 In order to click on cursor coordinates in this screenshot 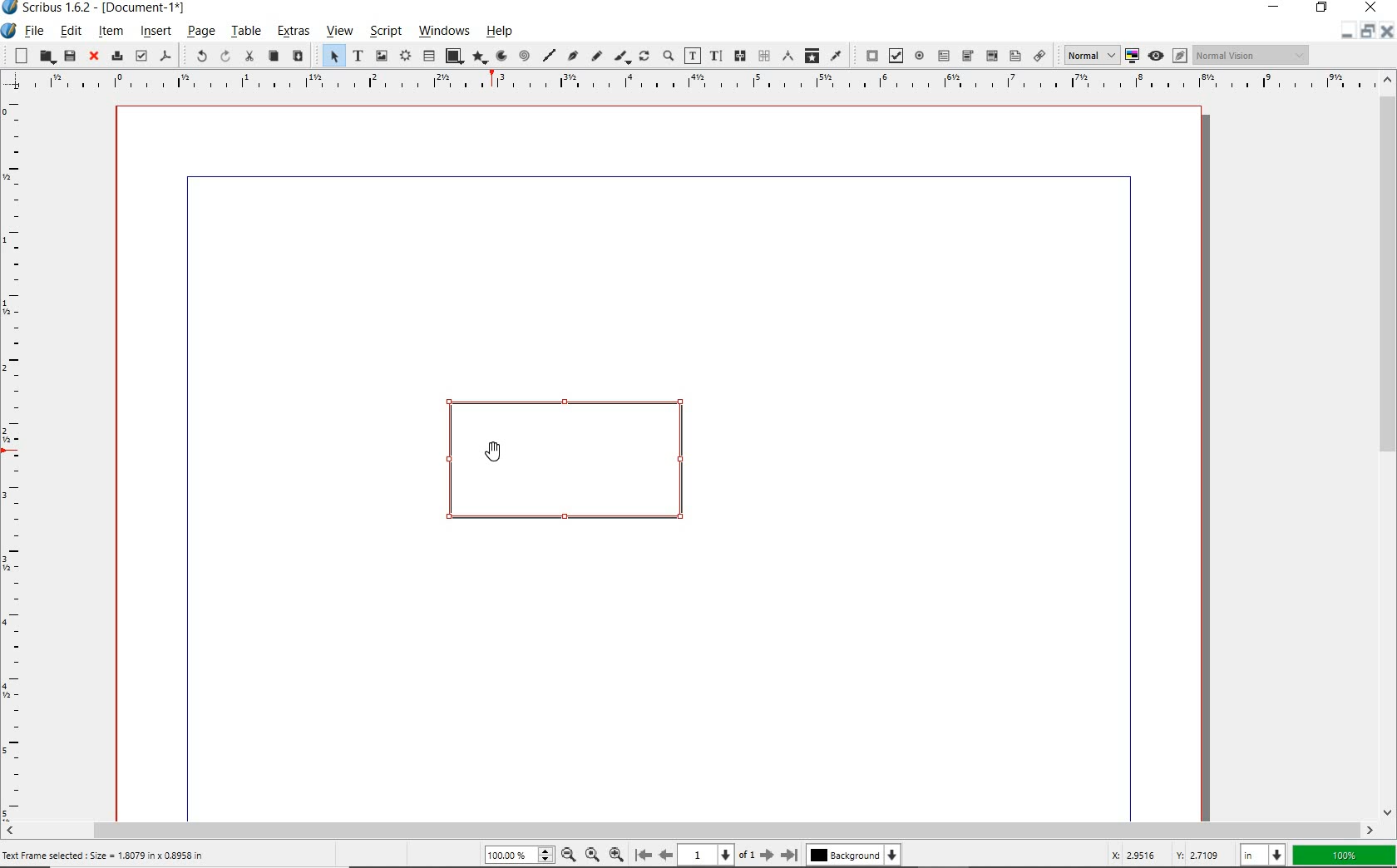, I will do `click(1164, 855)`.